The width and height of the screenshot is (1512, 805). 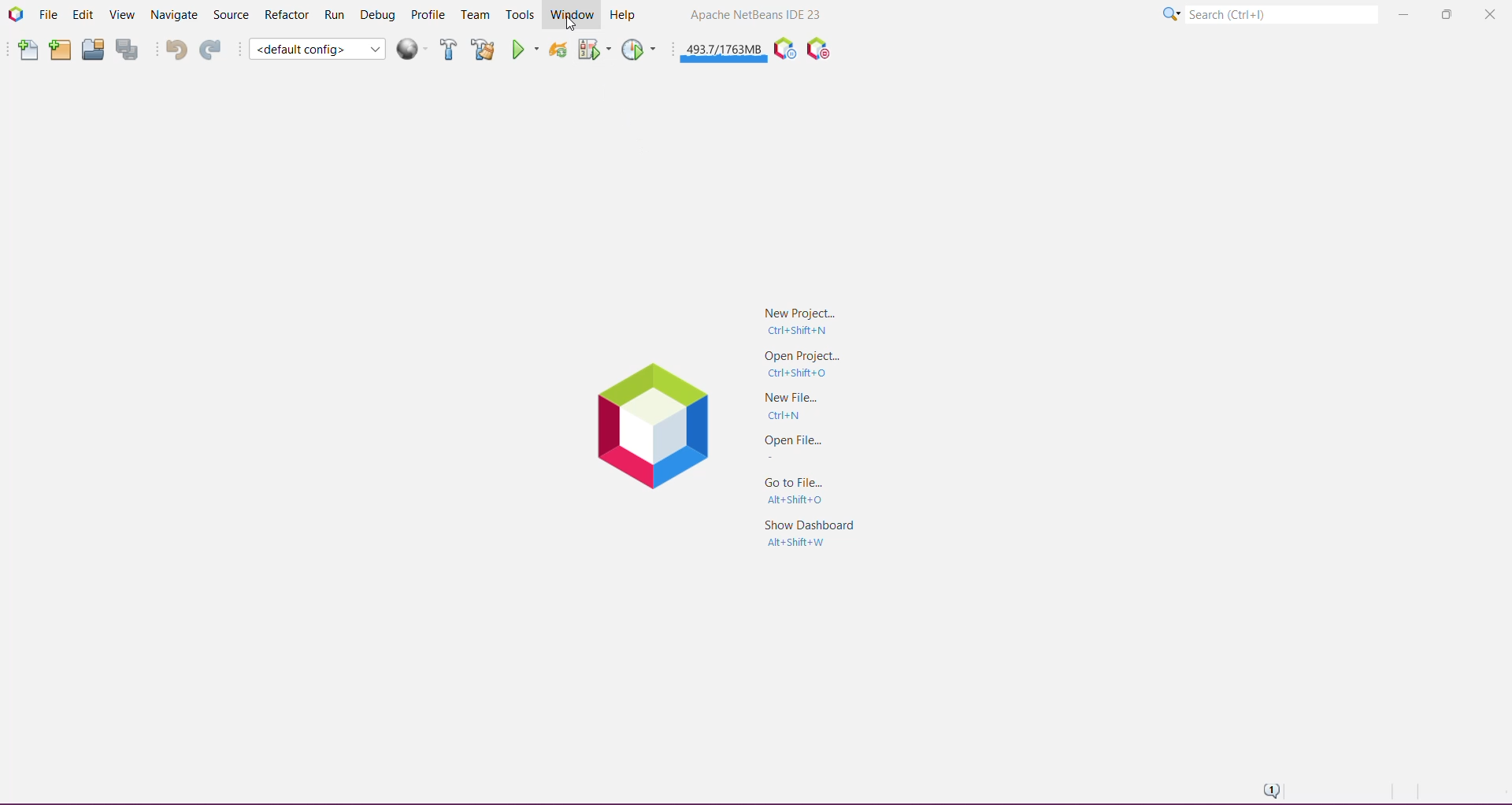 I want to click on Open Project, so click(x=802, y=365).